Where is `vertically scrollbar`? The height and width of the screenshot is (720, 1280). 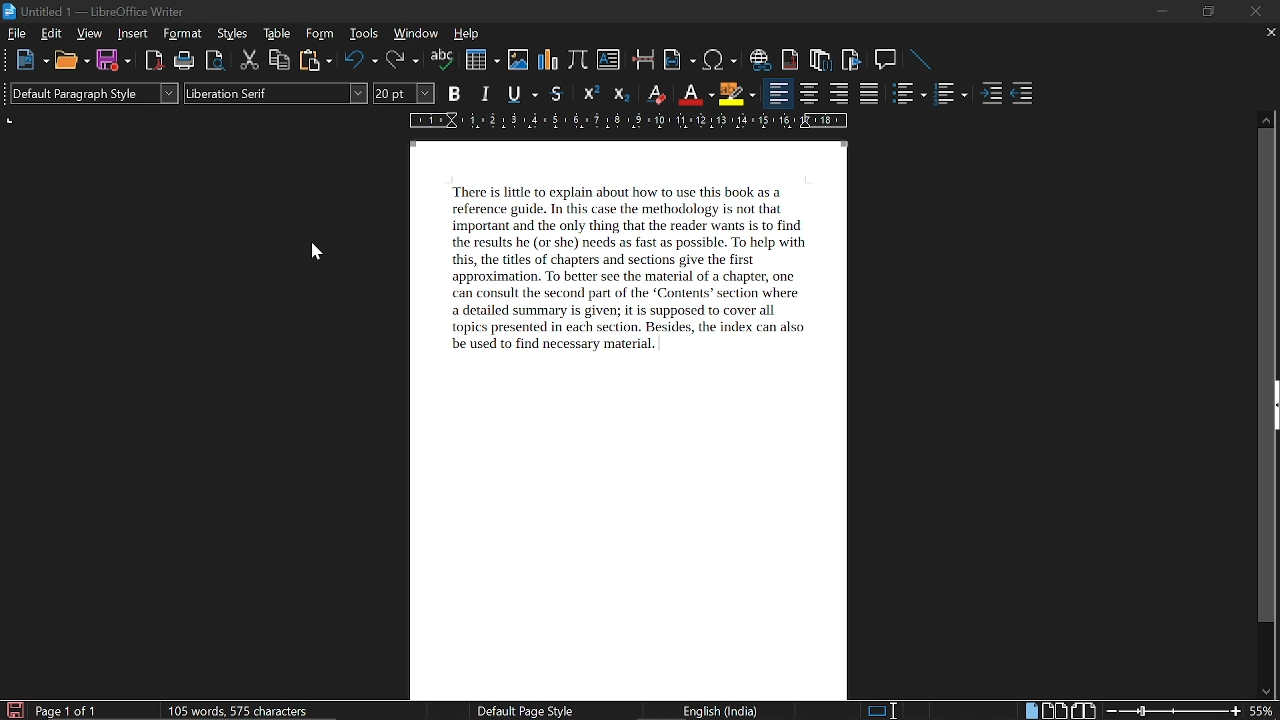
vertically scrollbar is located at coordinates (1267, 376).